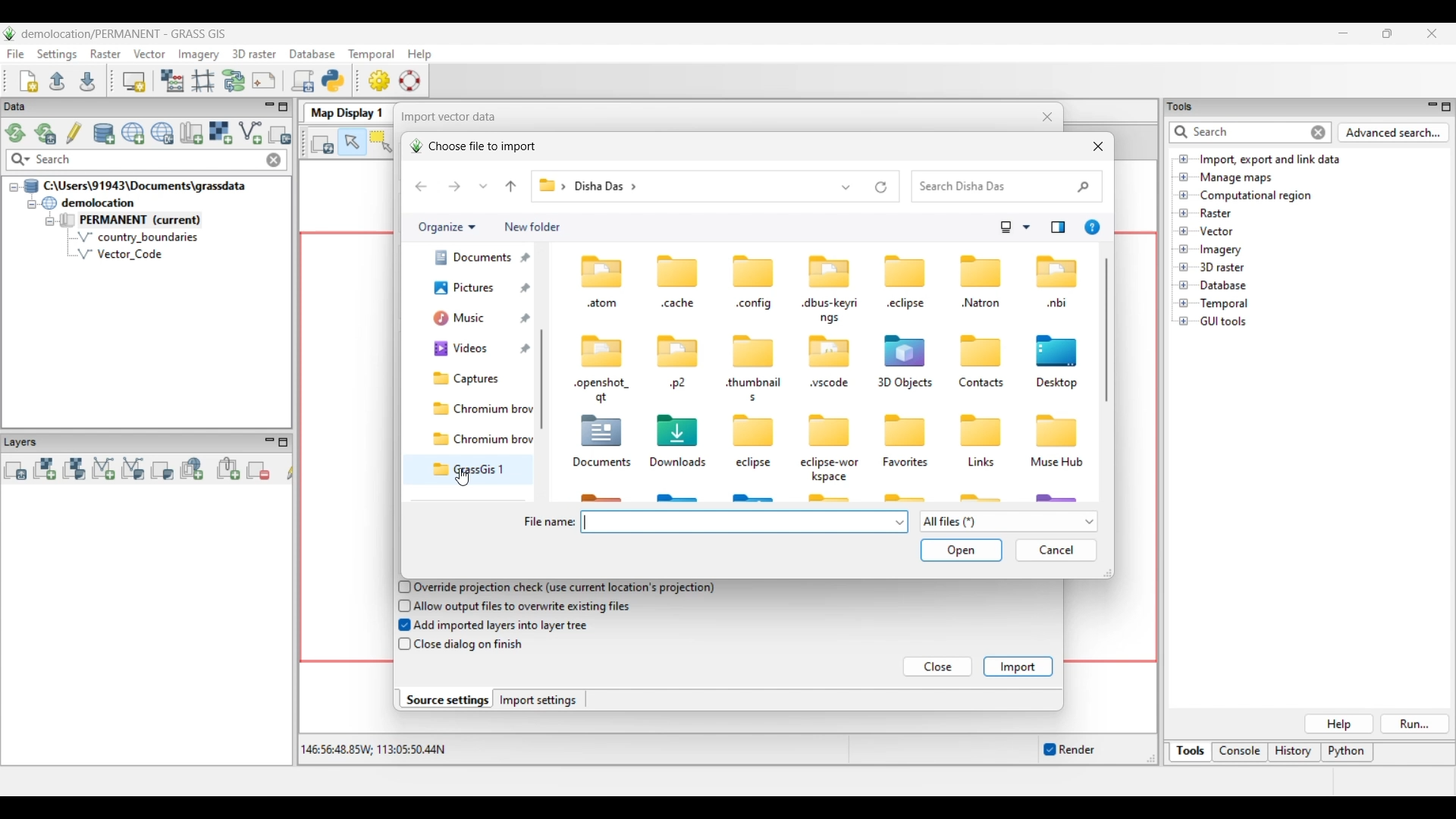 The height and width of the screenshot is (819, 1456). What do you see at coordinates (14, 187) in the screenshot?
I see `Collapse file thread ` at bounding box center [14, 187].